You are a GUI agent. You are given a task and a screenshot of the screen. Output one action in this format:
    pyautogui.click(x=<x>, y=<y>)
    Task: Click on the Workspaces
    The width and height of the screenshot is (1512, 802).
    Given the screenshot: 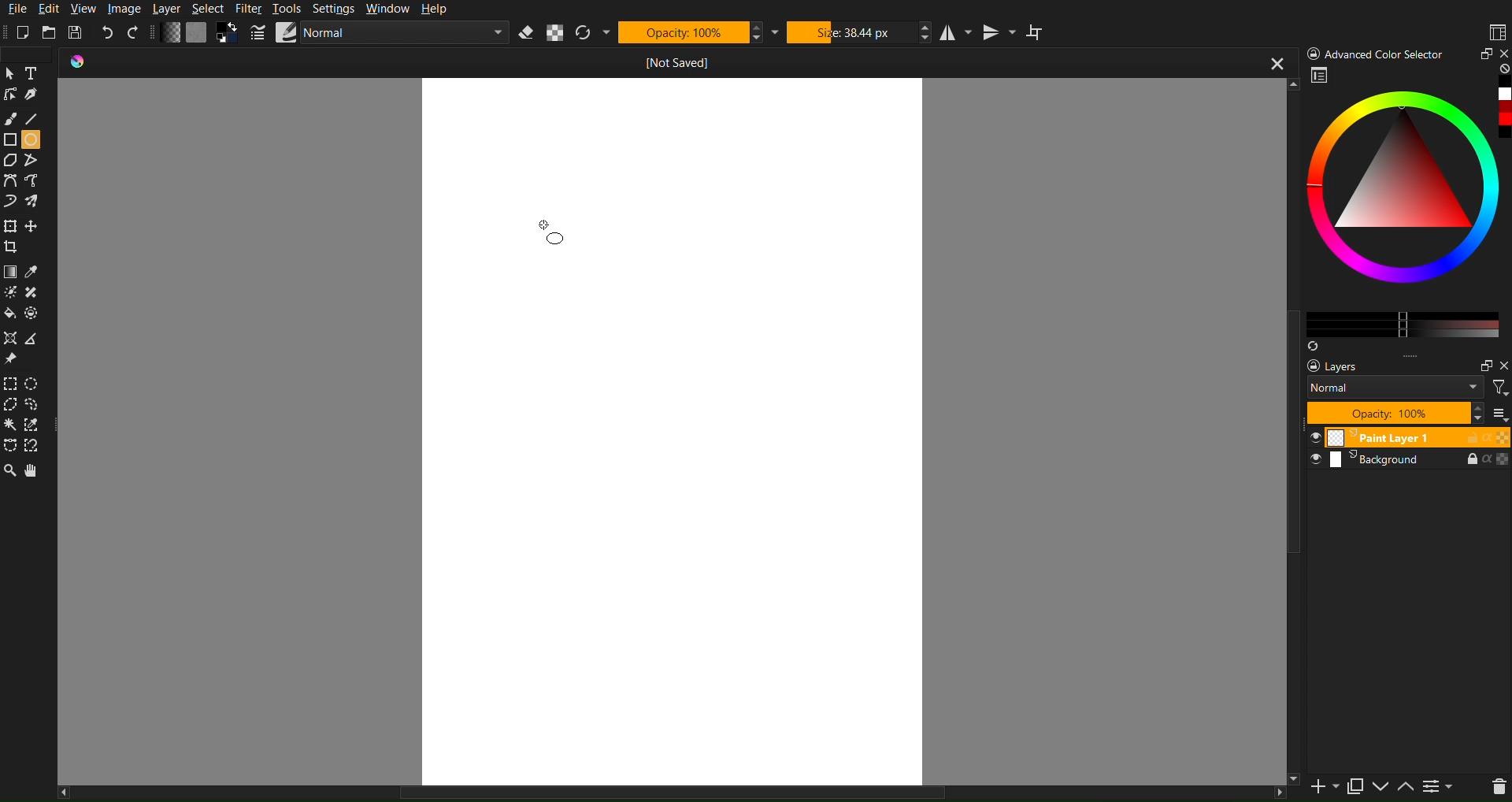 What is the action you would take?
    pyautogui.click(x=1496, y=31)
    